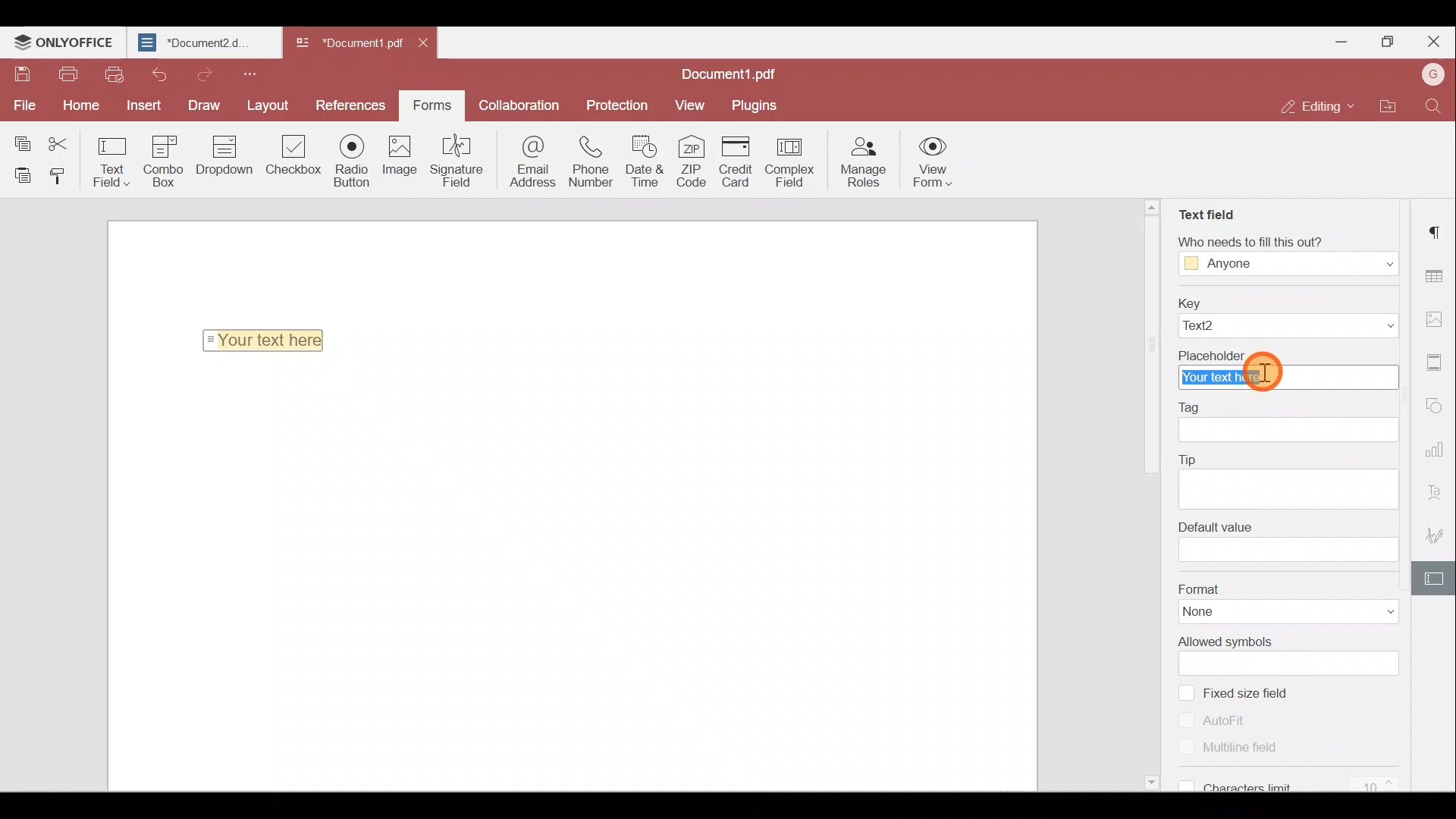  What do you see at coordinates (1432, 108) in the screenshot?
I see `Find` at bounding box center [1432, 108].